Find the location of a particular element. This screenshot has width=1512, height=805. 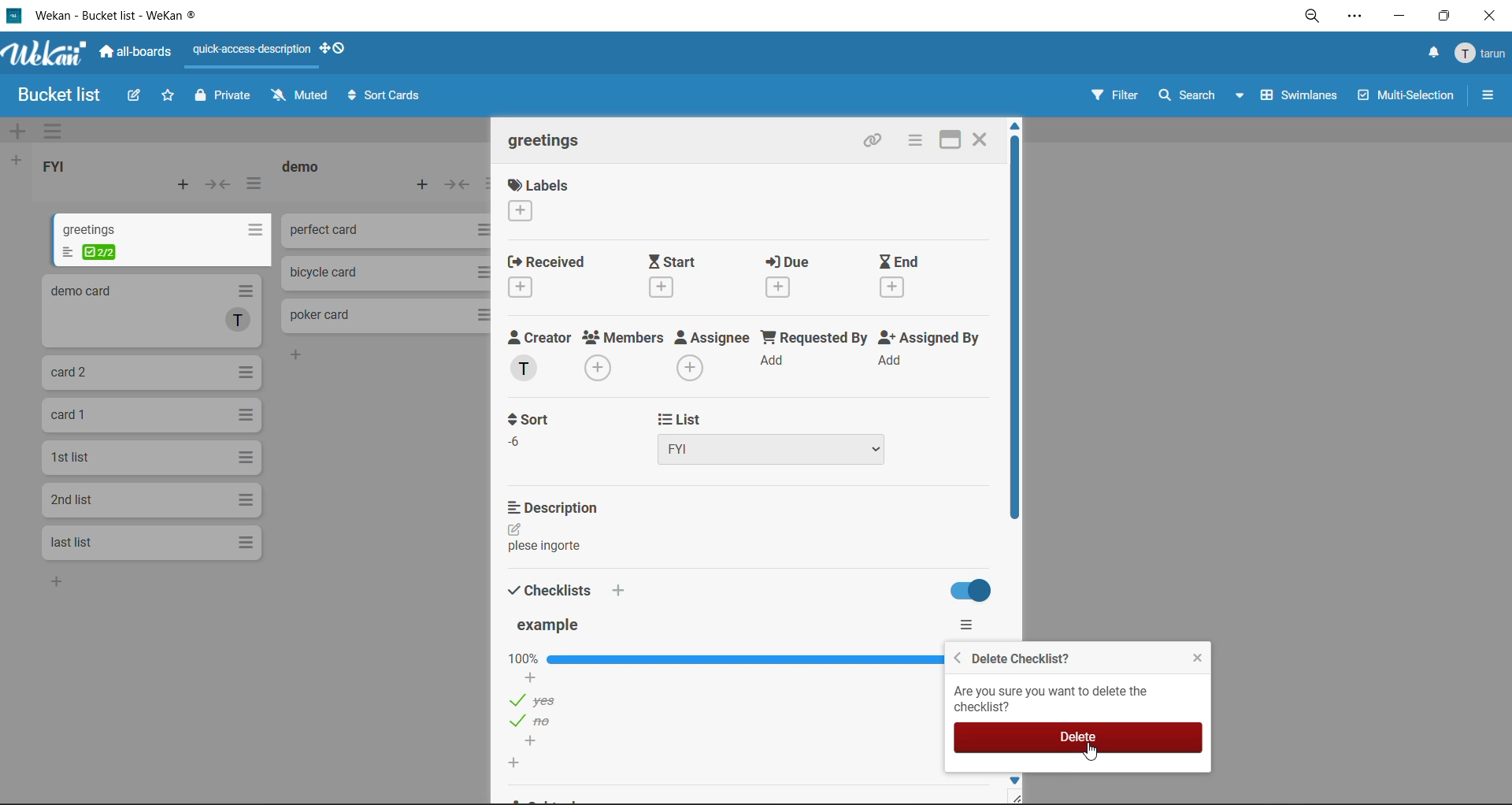

multiselection is located at coordinates (1411, 95).